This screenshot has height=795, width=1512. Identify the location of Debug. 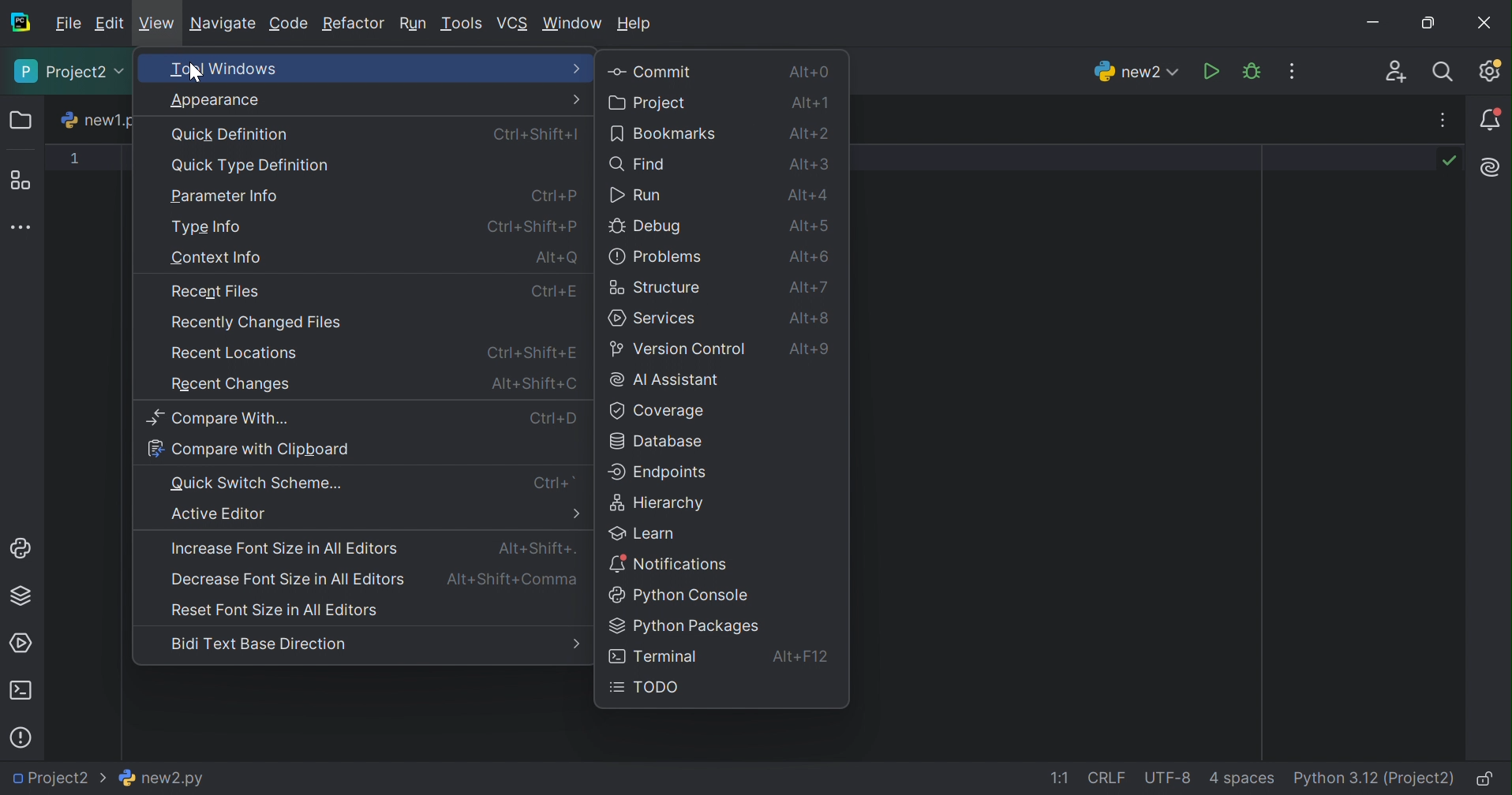
(646, 228).